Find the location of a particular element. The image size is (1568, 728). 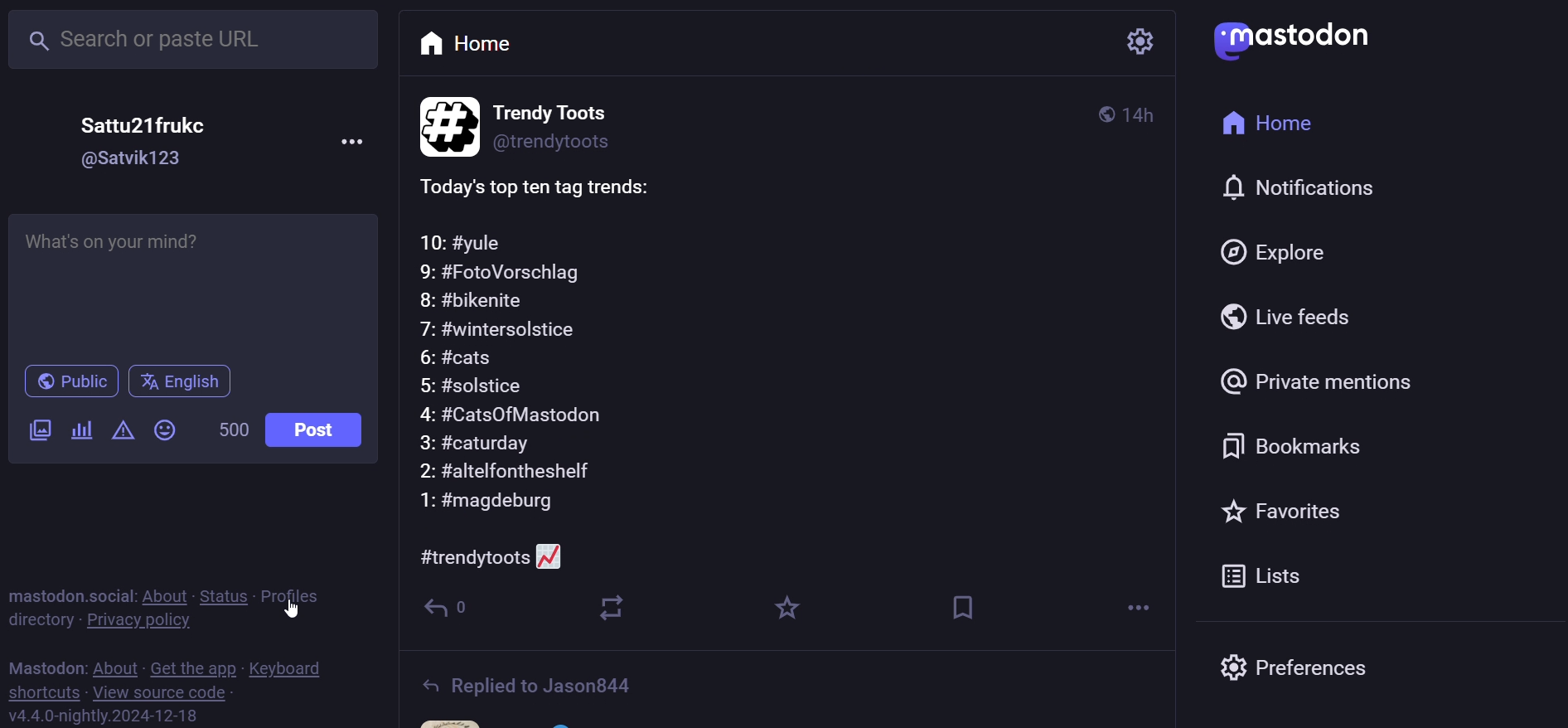

private policy is located at coordinates (133, 624).